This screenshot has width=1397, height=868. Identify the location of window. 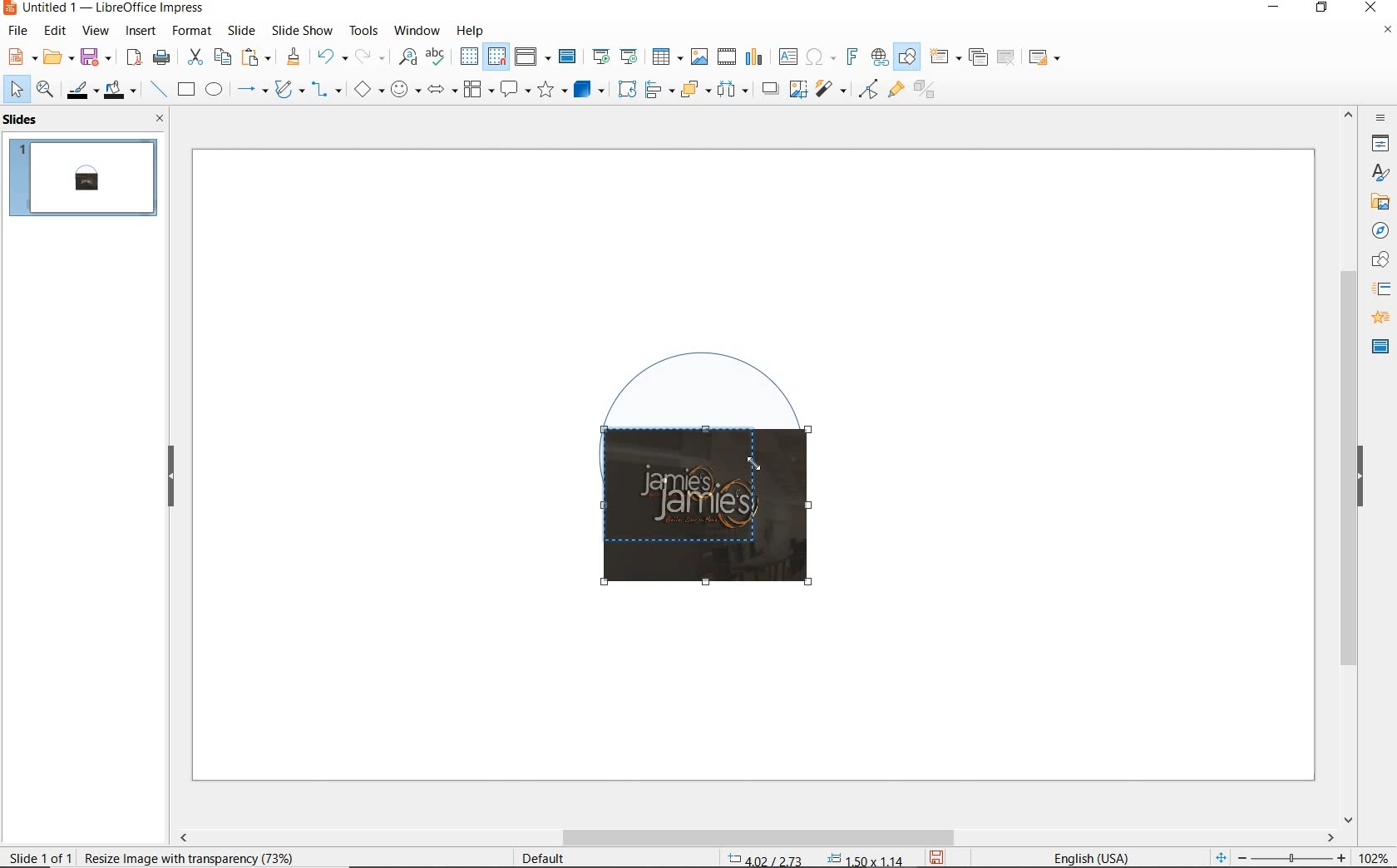
(417, 29).